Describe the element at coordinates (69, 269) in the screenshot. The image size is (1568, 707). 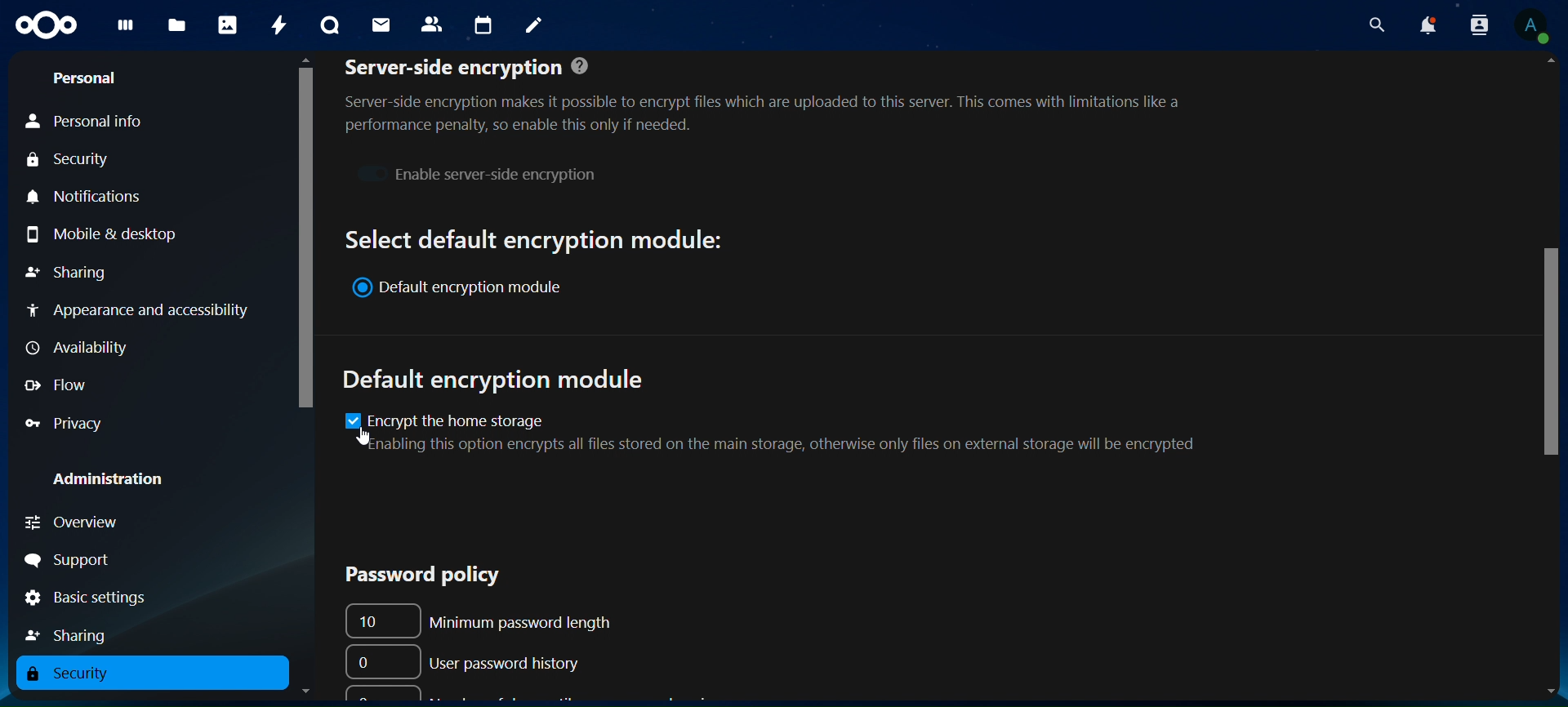
I see `sharing` at that location.